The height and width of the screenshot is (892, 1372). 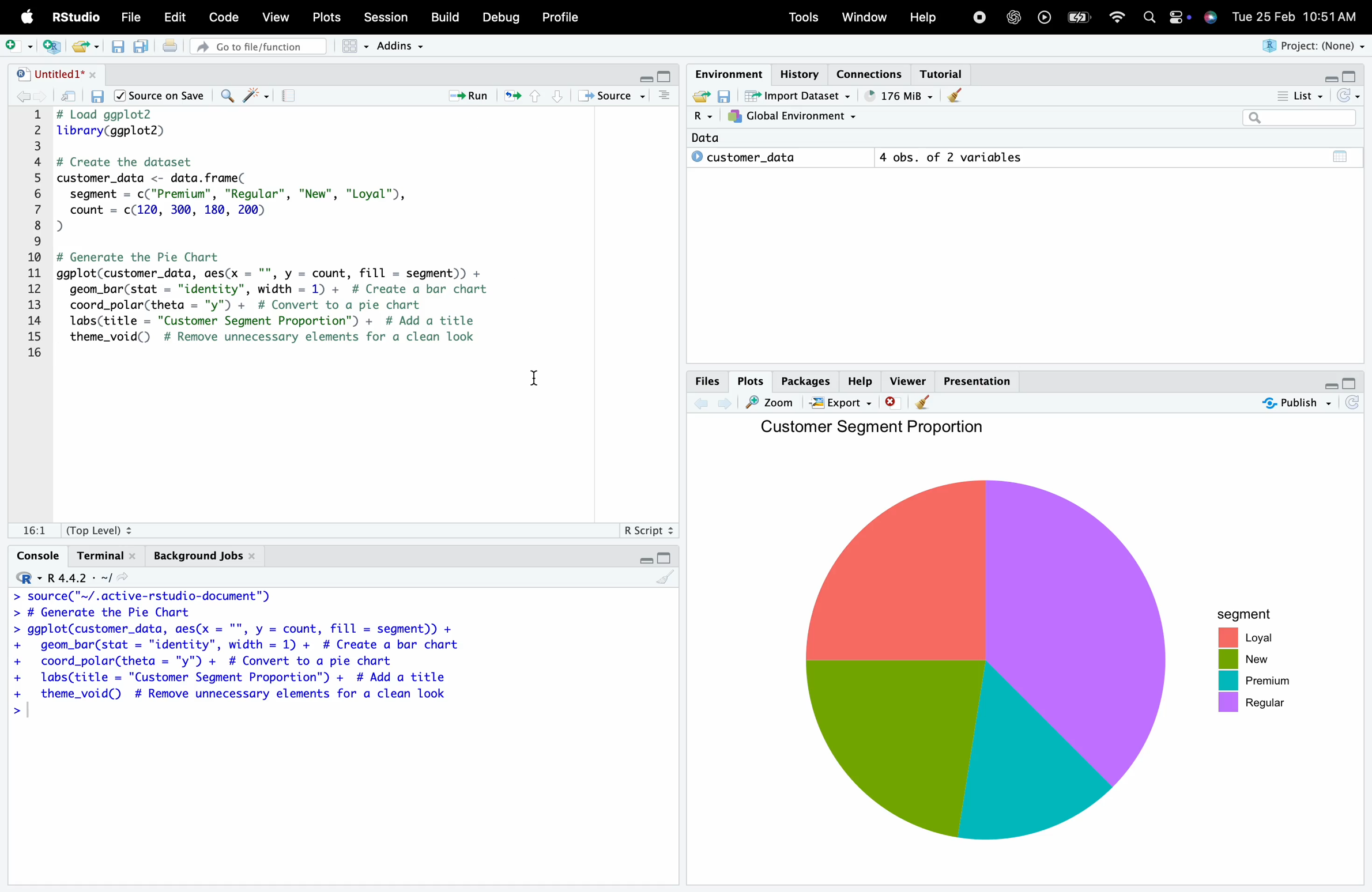 What do you see at coordinates (1083, 16) in the screenshot?
I see `battery` at bounding box center [1083, 16].